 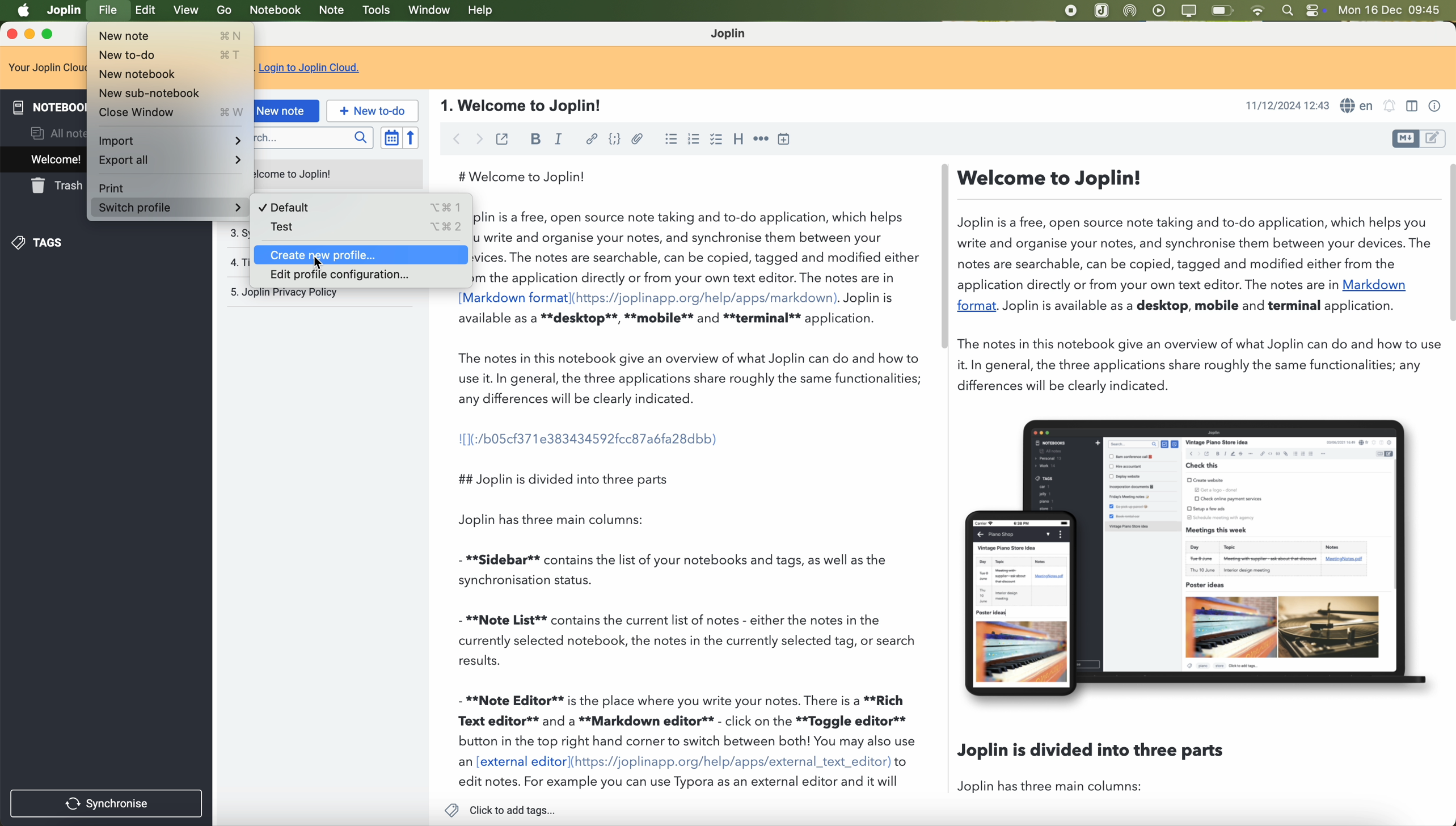 What do you see at coordinates (482, 141) in the screenshot?
I see `foward` at bounding box center [482, 141].